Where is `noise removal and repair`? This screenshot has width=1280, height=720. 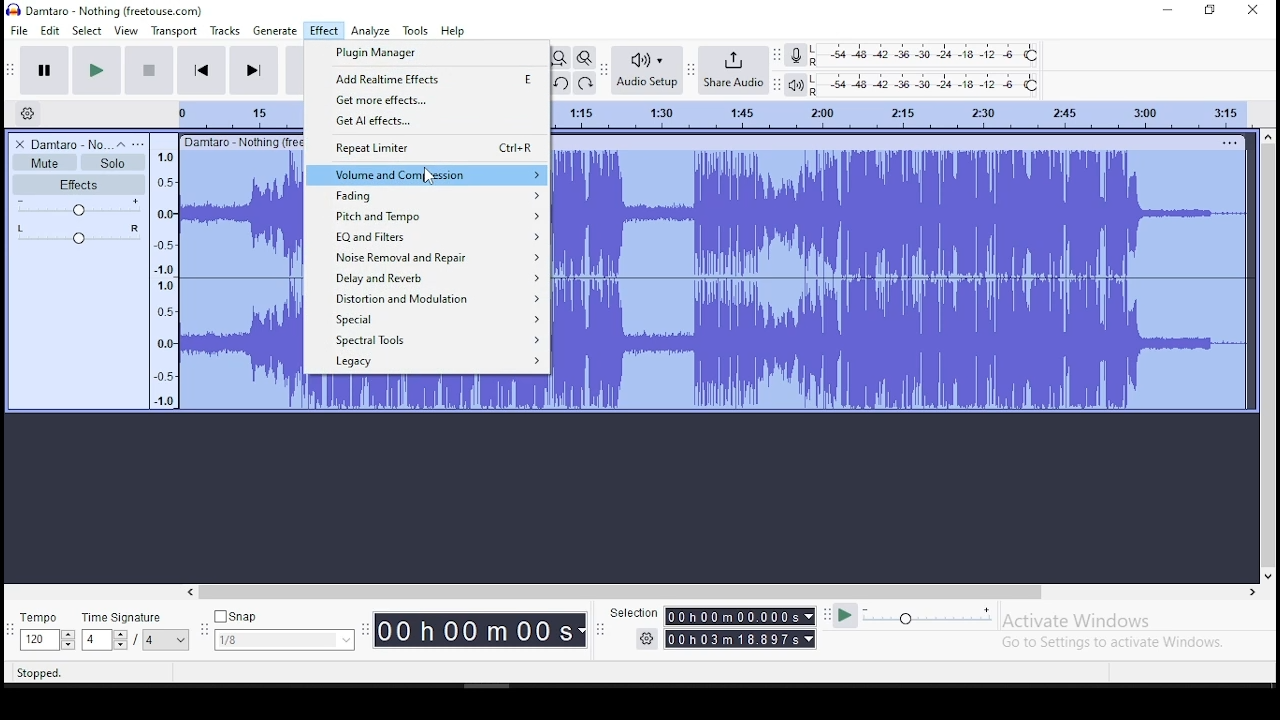
noise removal and repair is located at coordinates (427, 258).